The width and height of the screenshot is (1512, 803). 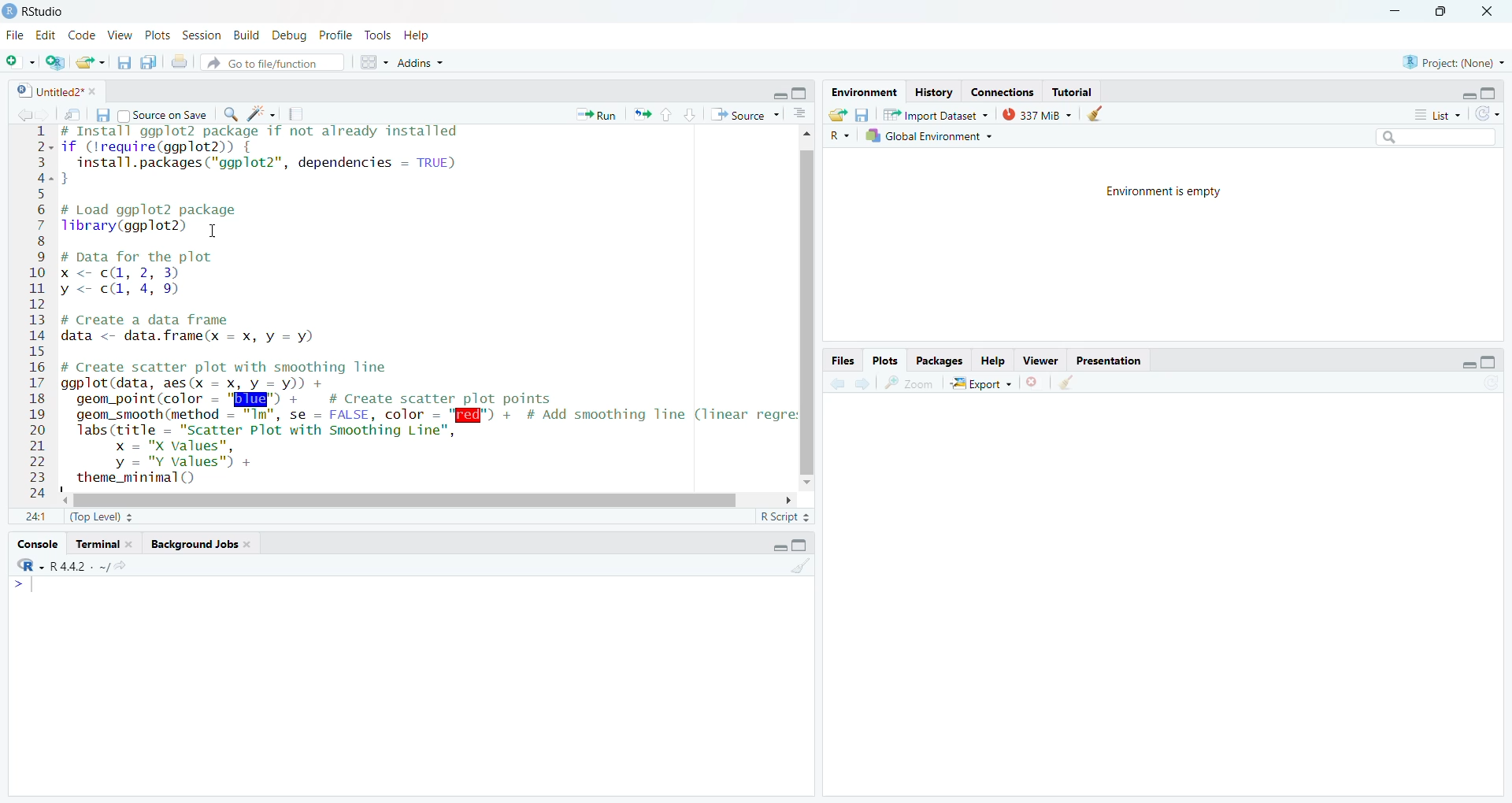 I want to click on background Jobs, so click(x=199, y=545).